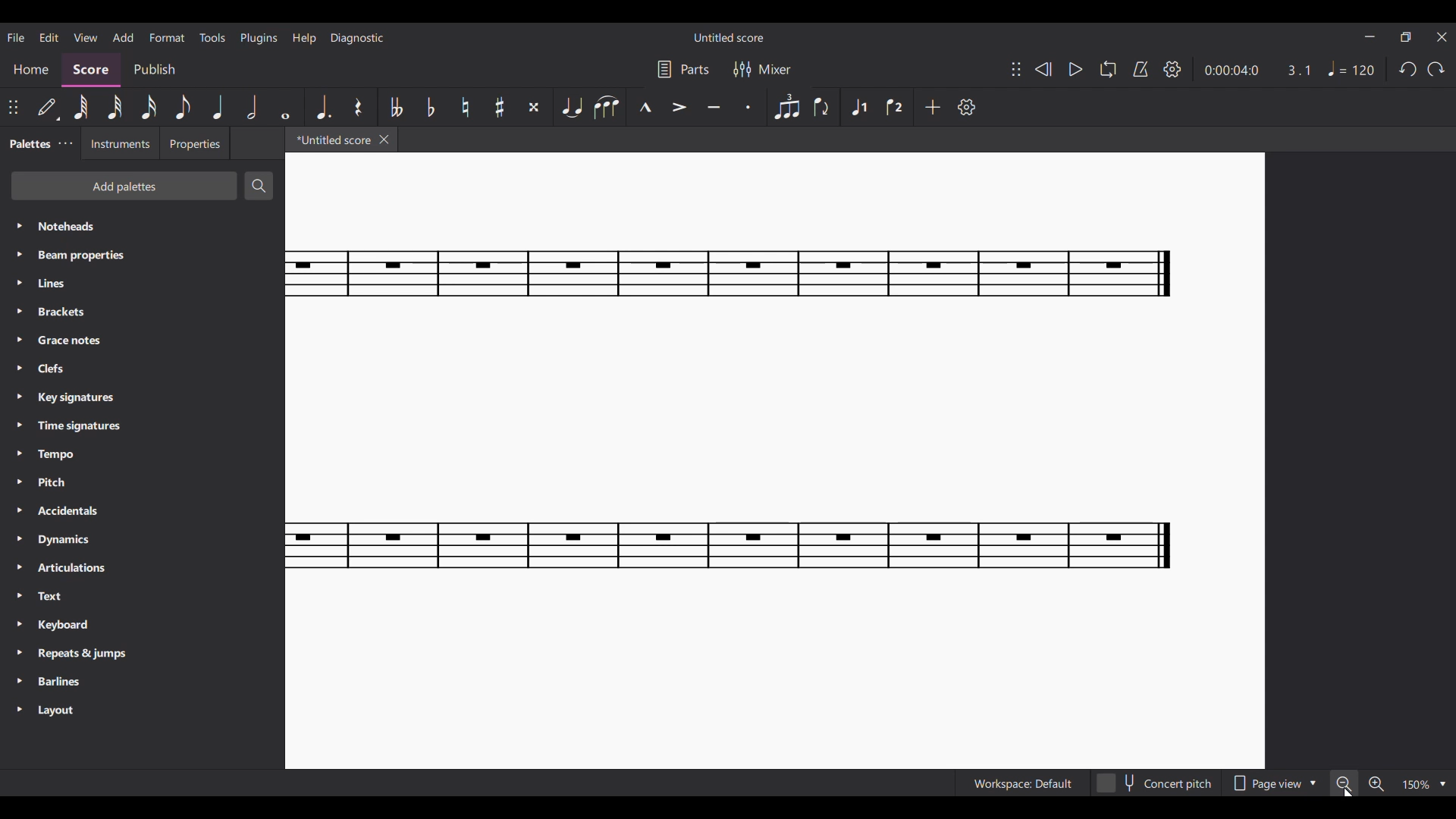  What do you see at coordinates (894, 107) in the screenshot?
I see `Voice 2` at bounding box center [894, 107].